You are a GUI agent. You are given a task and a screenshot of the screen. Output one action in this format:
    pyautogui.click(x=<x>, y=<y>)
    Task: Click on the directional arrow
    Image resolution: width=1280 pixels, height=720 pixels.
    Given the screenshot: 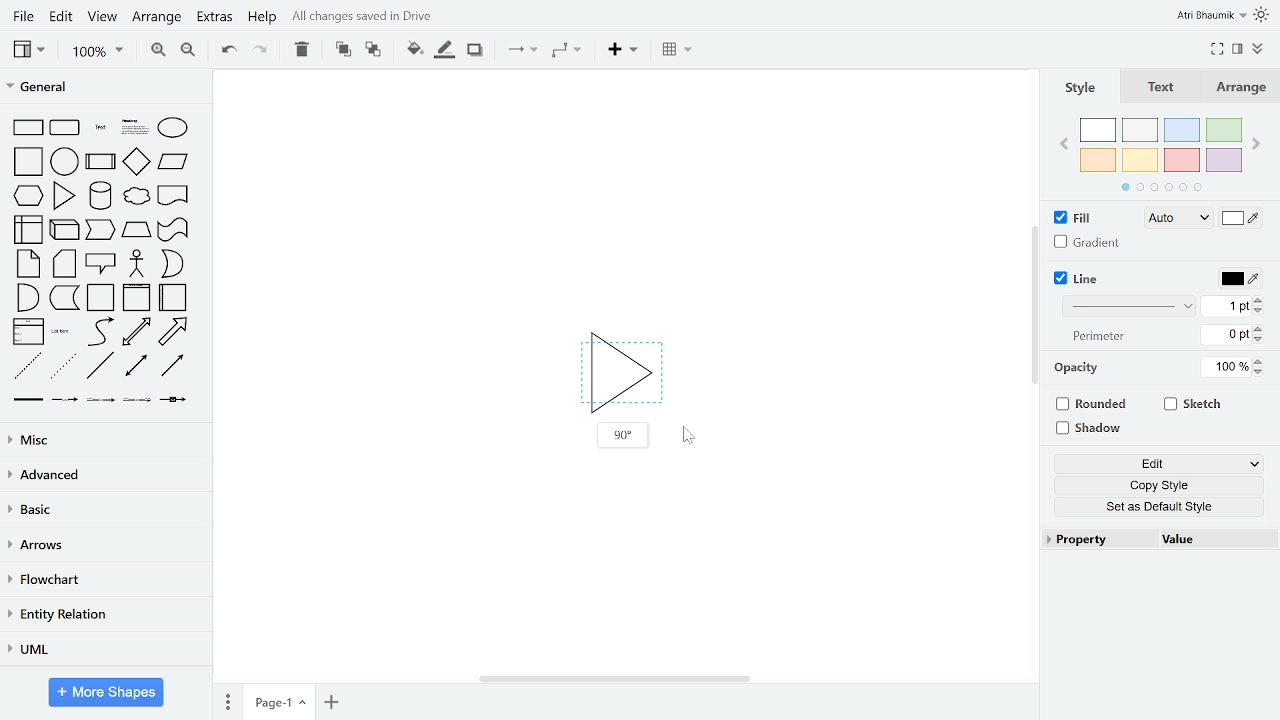 What is the action you would take?
    pyautogui.click(x=173, y=367)
    